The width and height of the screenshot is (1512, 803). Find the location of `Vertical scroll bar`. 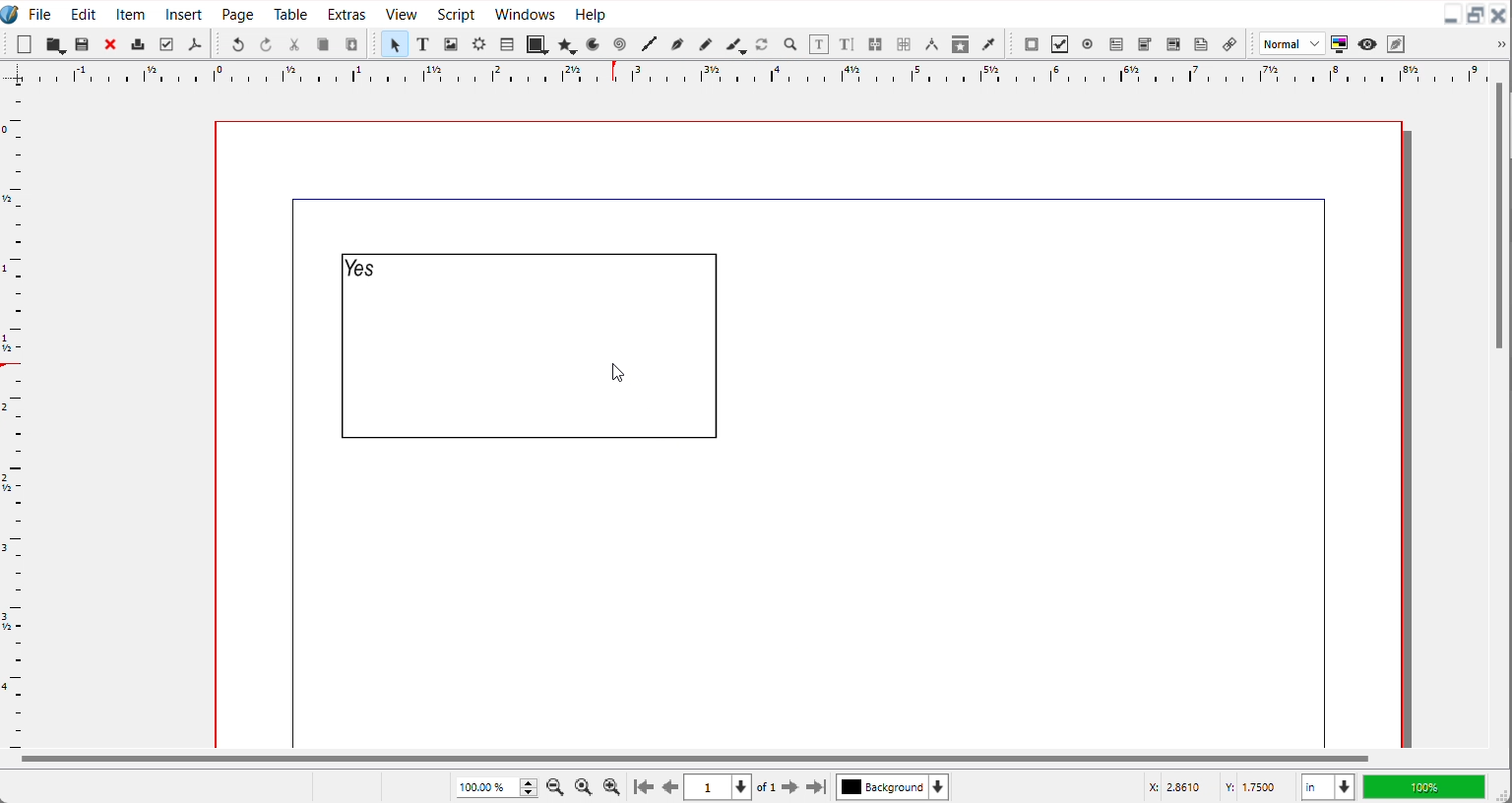

Vertical scroll bar is located at coordinates (1499, 217).